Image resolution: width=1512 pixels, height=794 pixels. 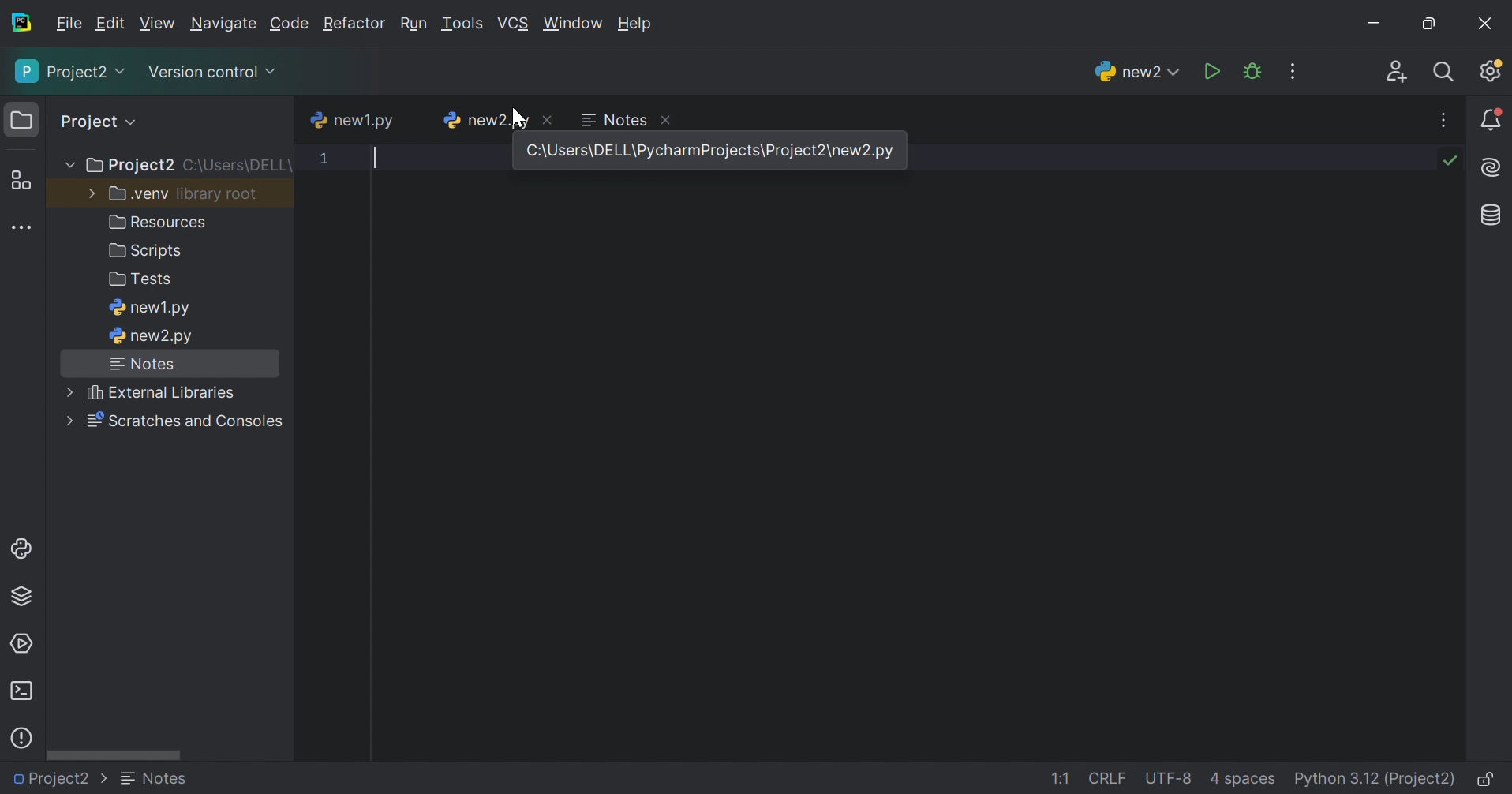 I want to click on UTF-8, so click(x=1169, y=778).